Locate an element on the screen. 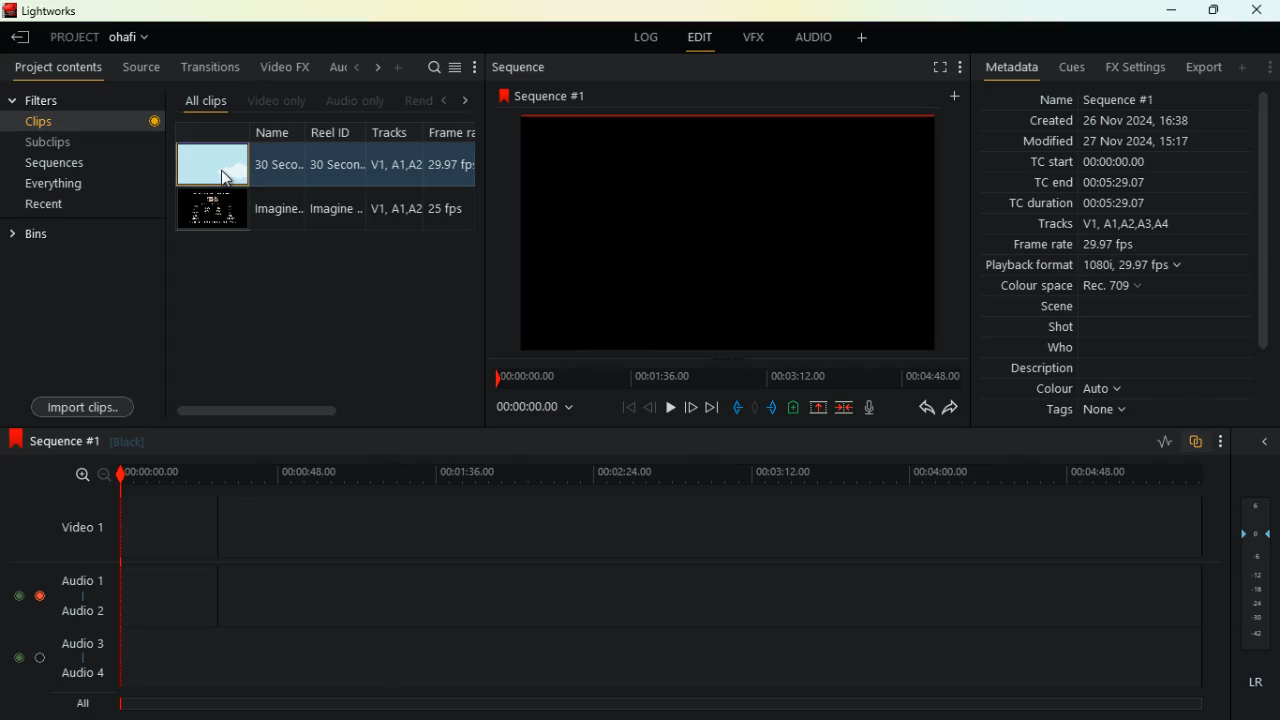 The image size is (1280, 720). search is located at coordinates (431, 69).